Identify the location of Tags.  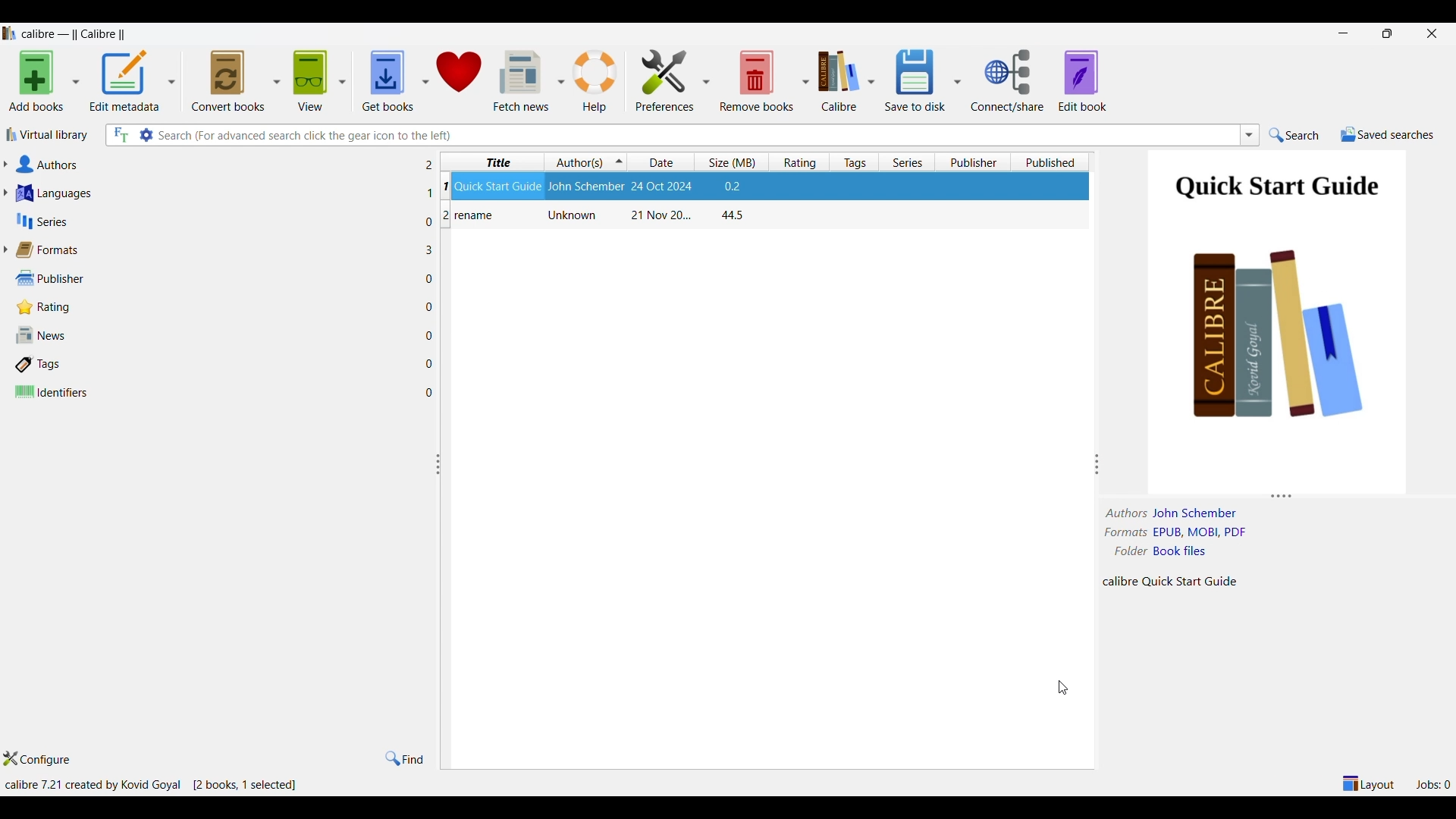
(213, 365).